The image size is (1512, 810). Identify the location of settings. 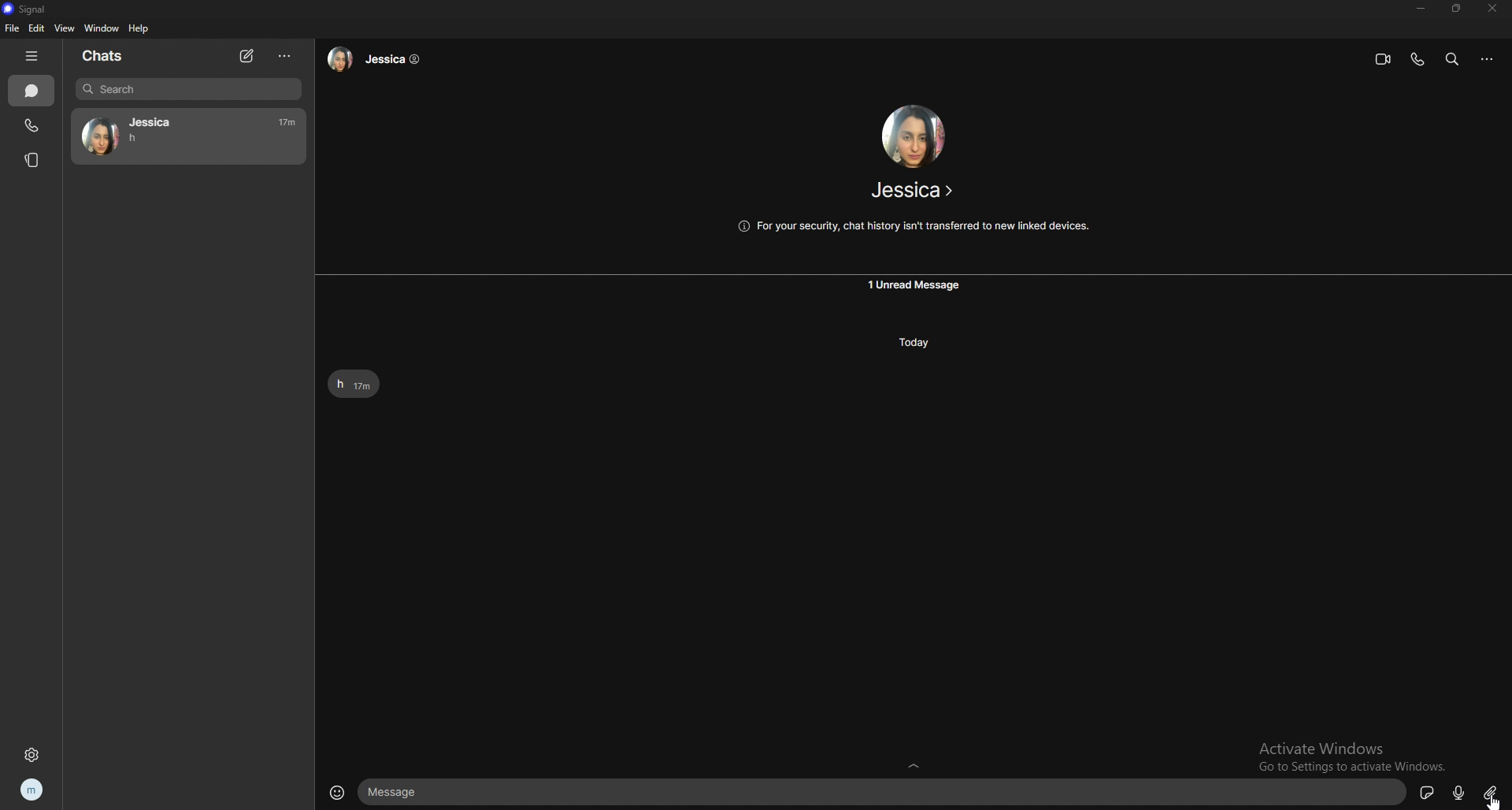
(31, 755).